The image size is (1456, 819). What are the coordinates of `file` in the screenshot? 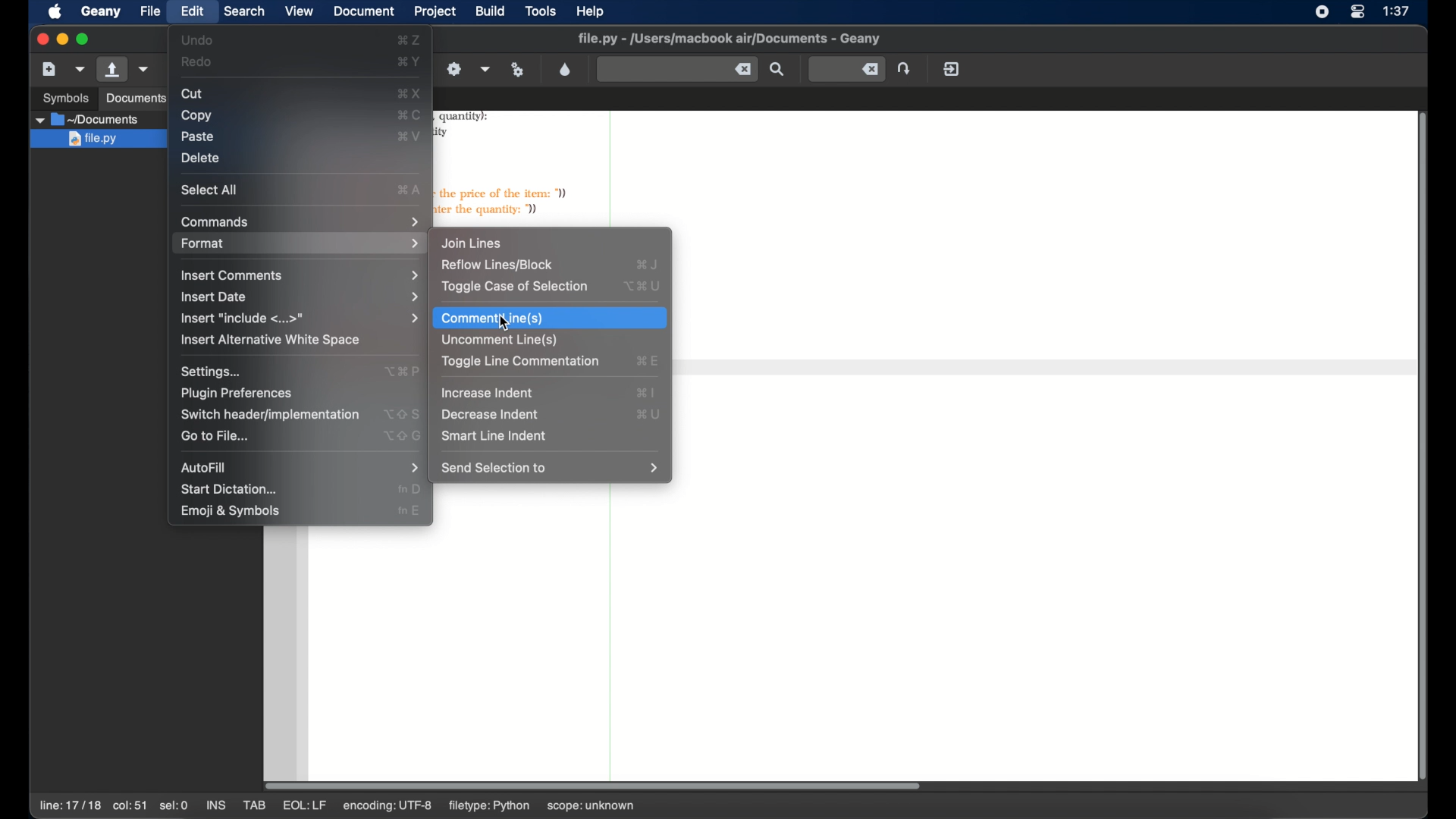 It's located at (150, 11).